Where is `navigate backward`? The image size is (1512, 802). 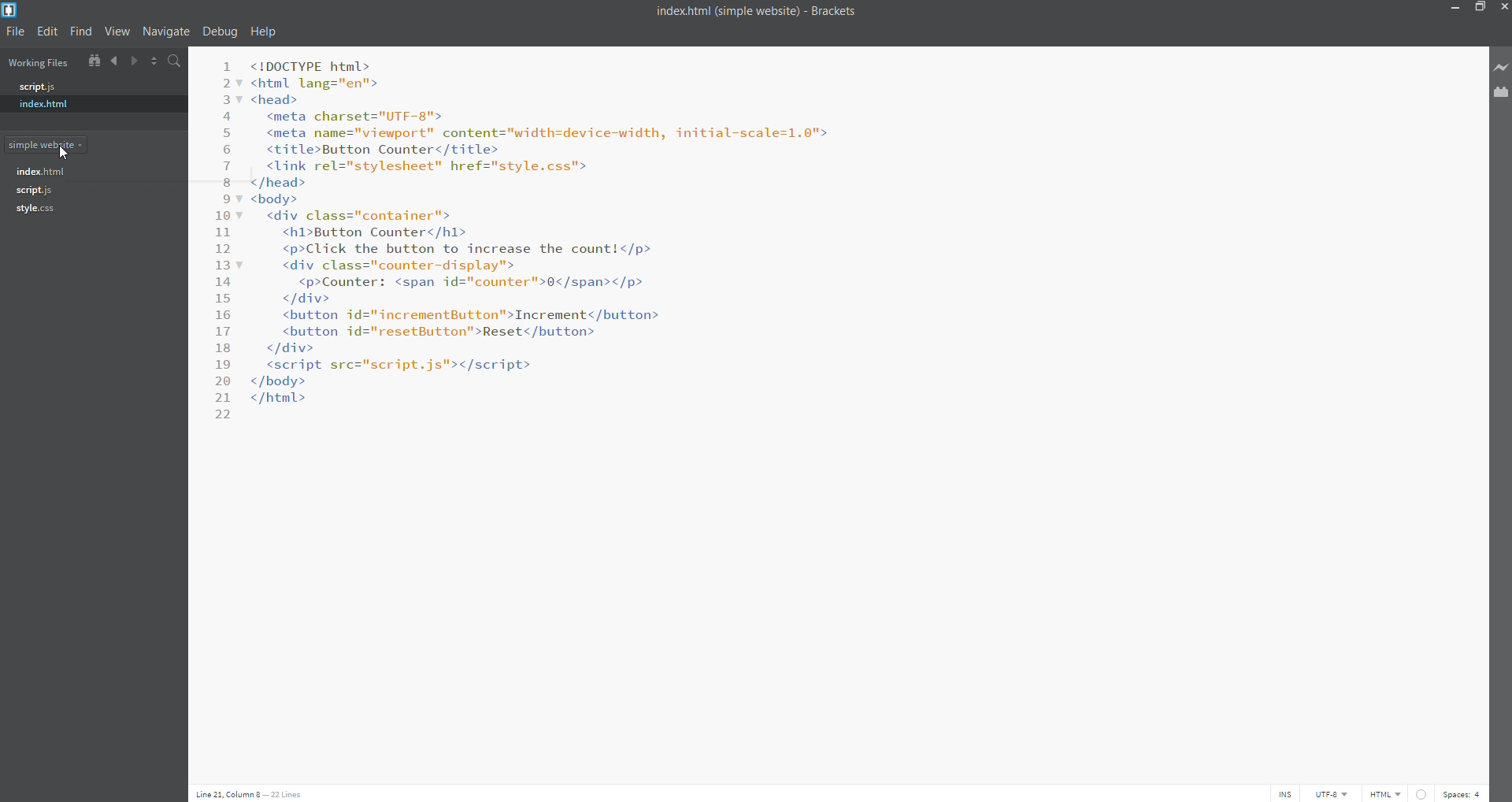 navigate backward is located at coordinates (113, 62).